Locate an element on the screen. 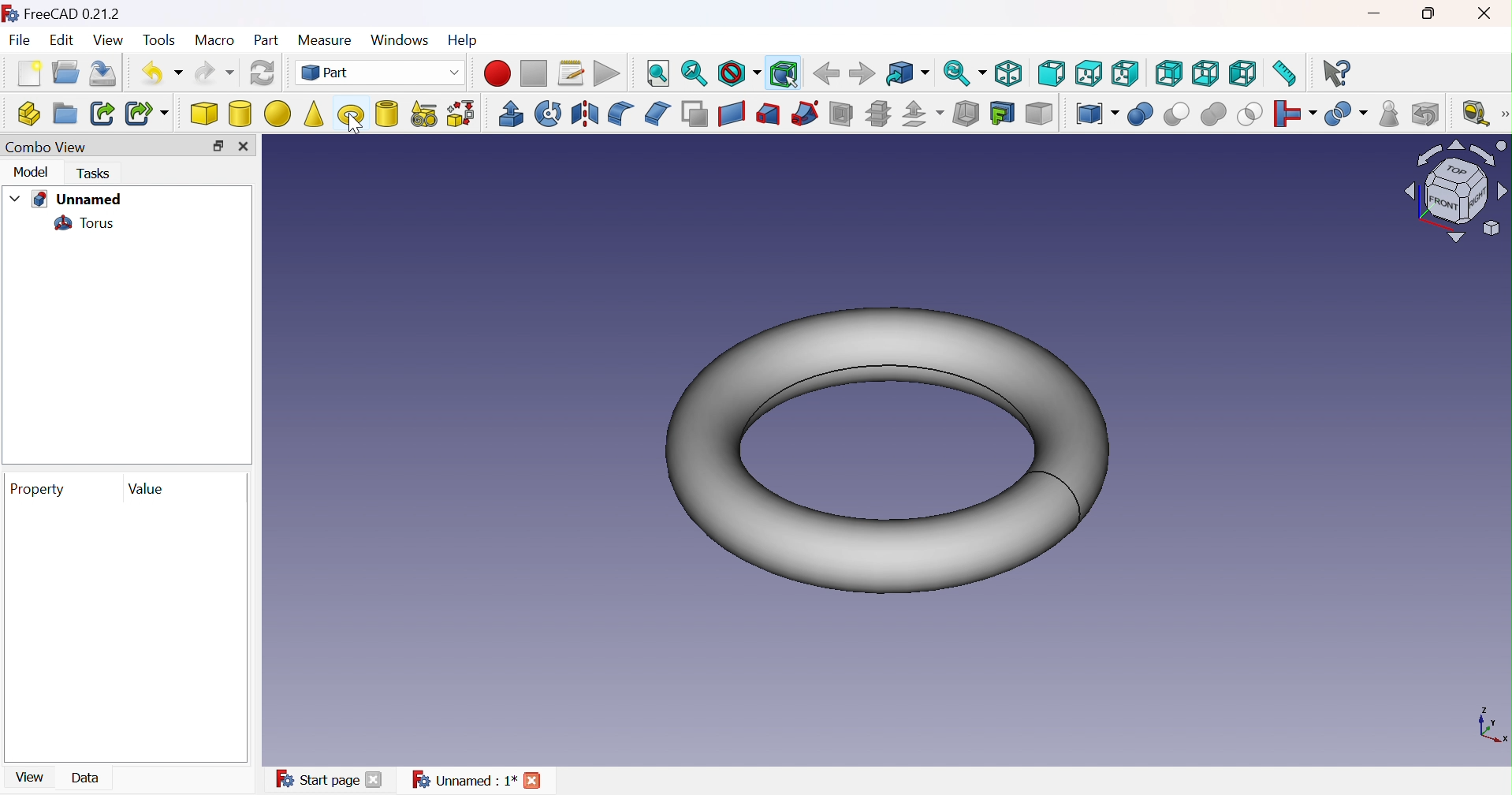  File is located at coordinates (20, 42).